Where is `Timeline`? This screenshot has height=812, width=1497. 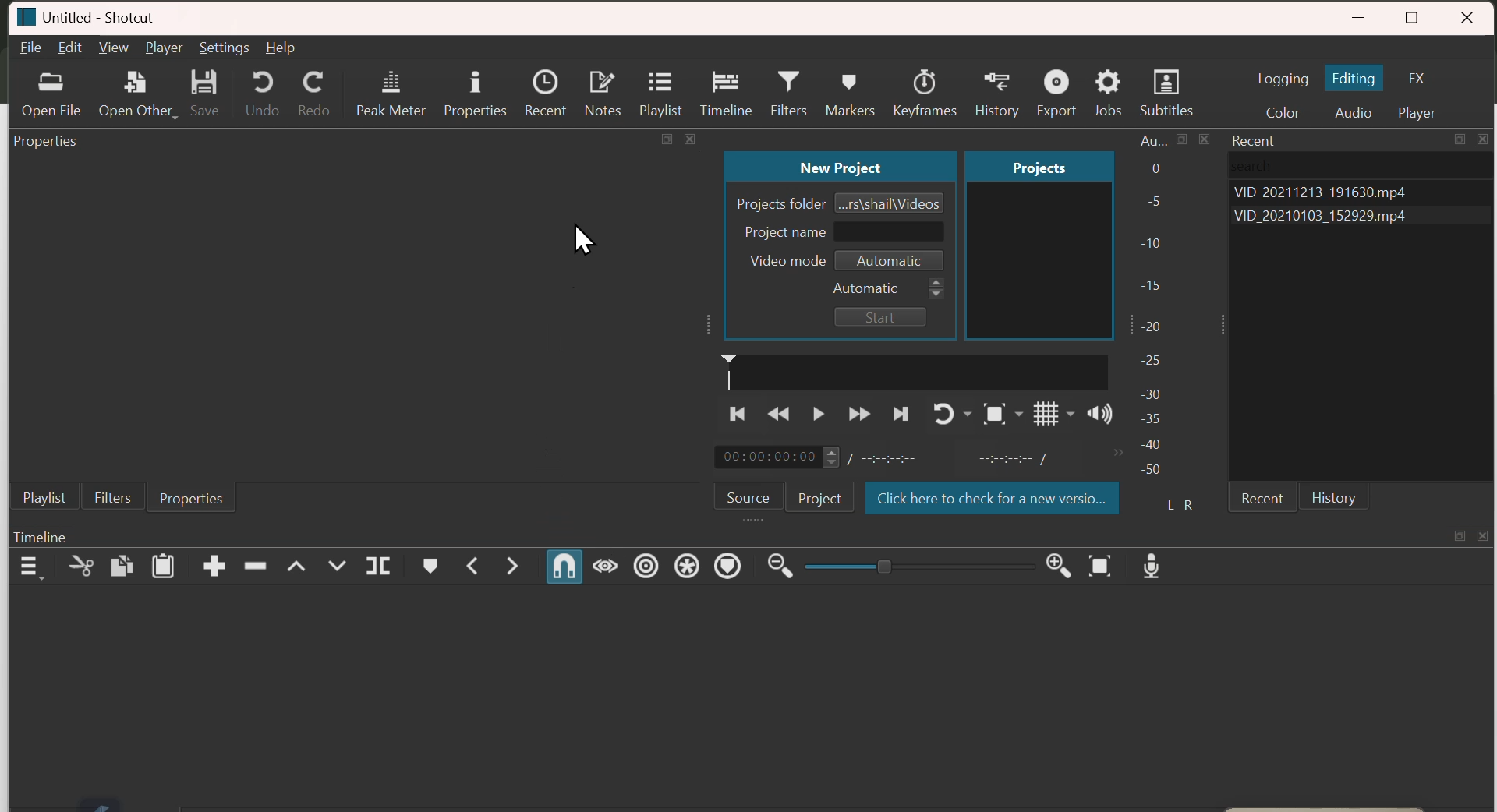
Timeline is located at coordinates (41, 536).